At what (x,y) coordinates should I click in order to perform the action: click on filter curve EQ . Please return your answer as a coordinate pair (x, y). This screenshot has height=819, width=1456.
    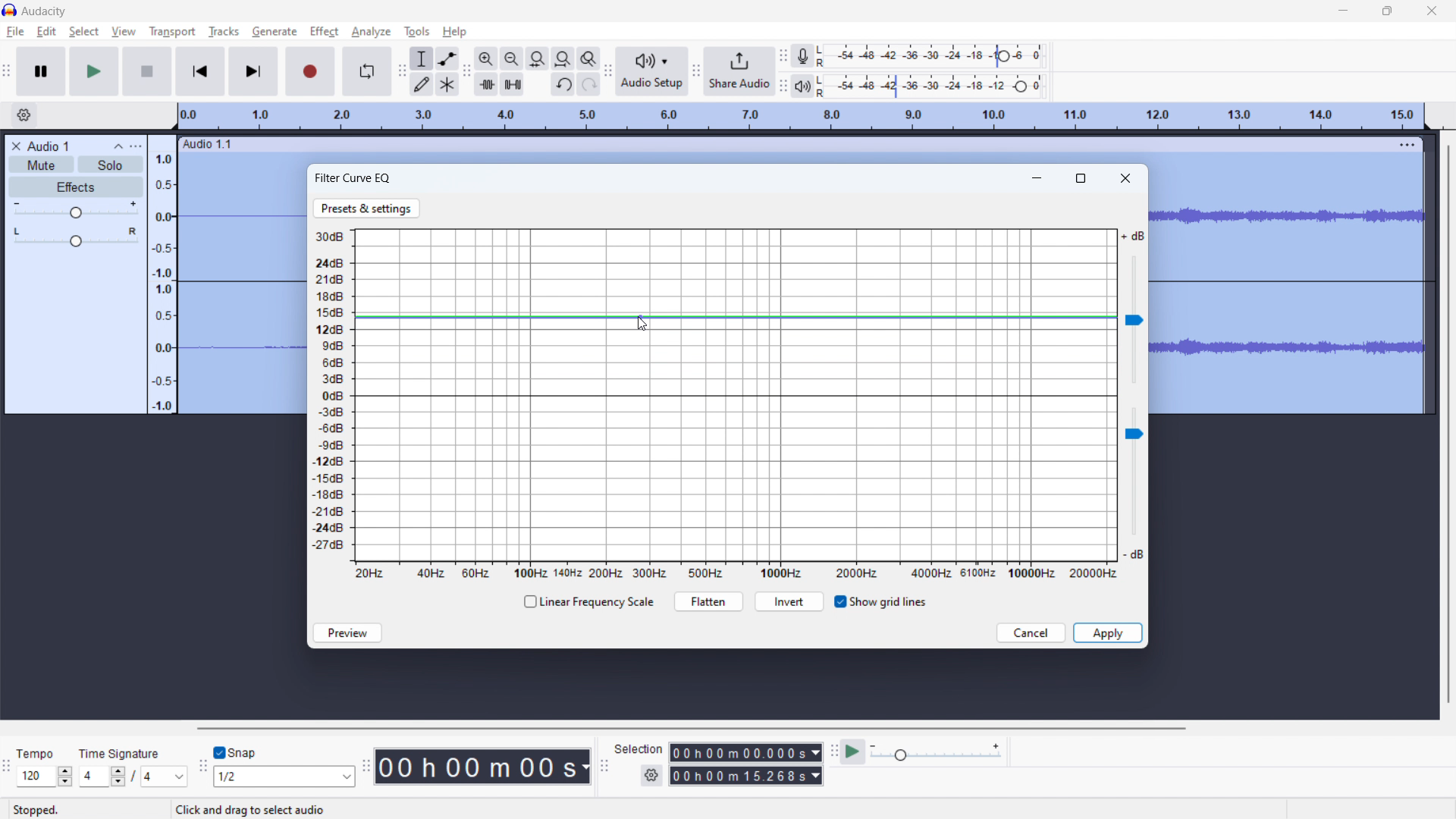
    Looking at the image, I should click on (353, 178).